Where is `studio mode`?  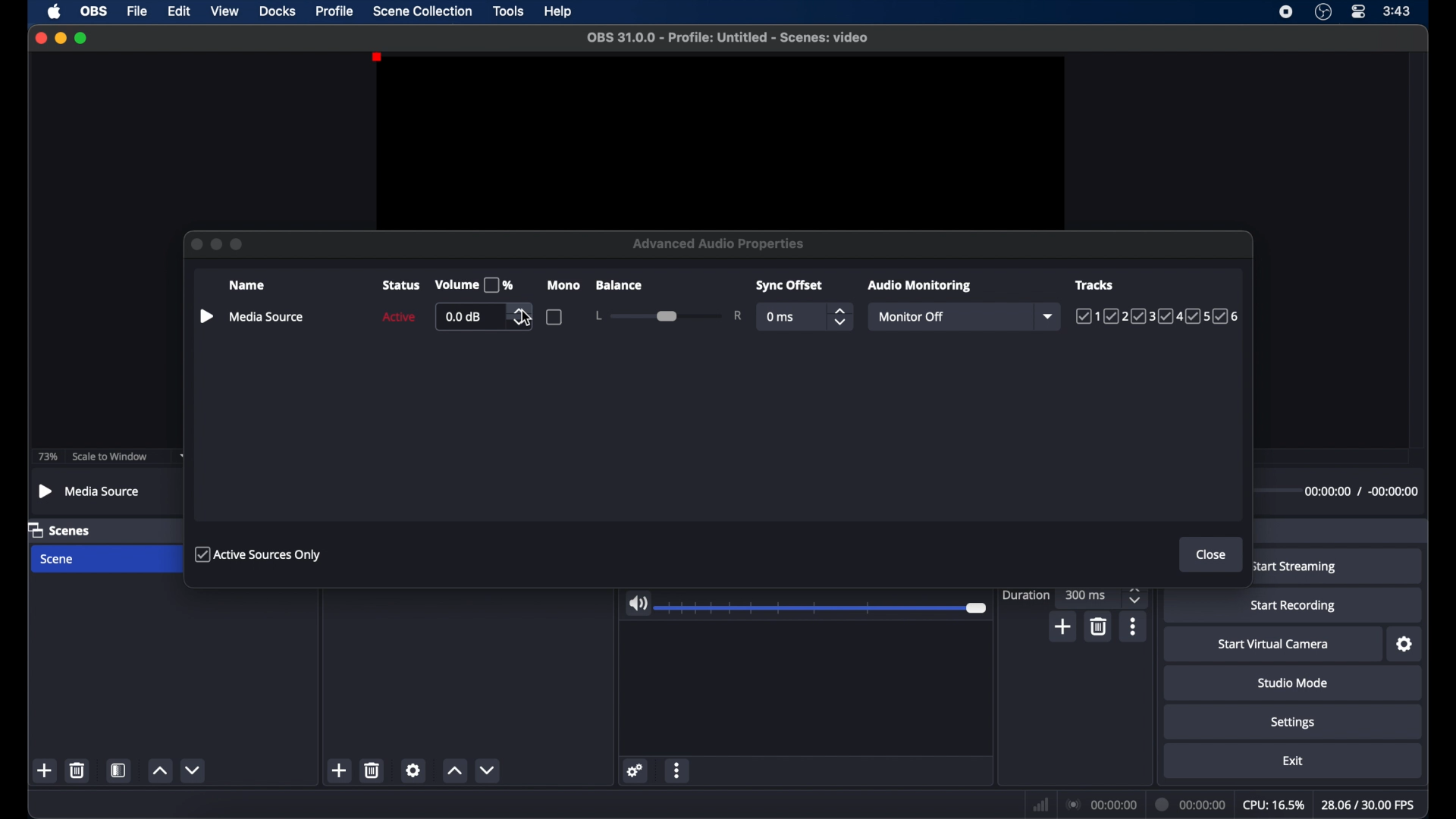
studio mode is located at coordinates (1294, 683).